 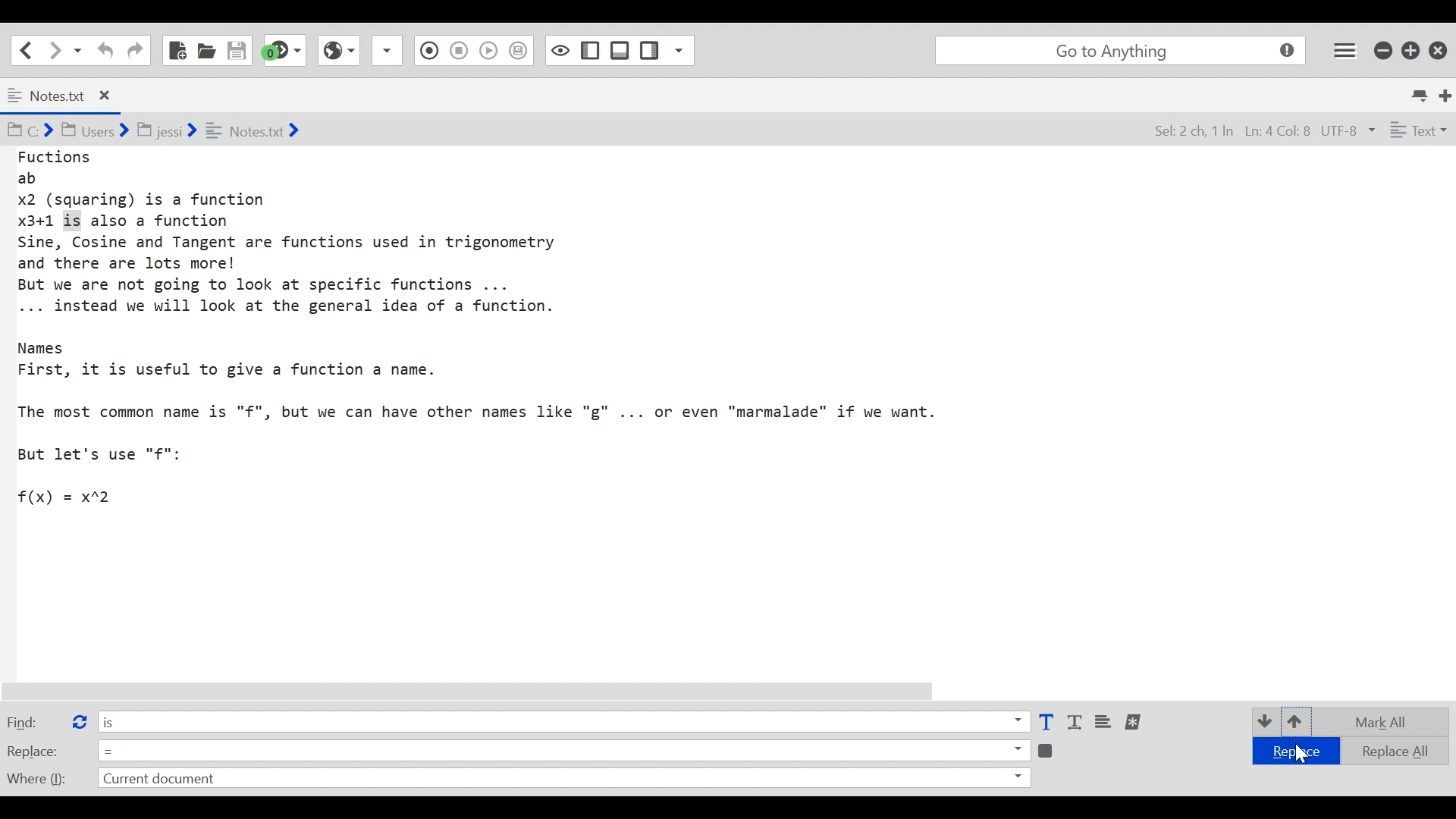 I want to click on Show specific Sidepane, so click(x=667, y=51).